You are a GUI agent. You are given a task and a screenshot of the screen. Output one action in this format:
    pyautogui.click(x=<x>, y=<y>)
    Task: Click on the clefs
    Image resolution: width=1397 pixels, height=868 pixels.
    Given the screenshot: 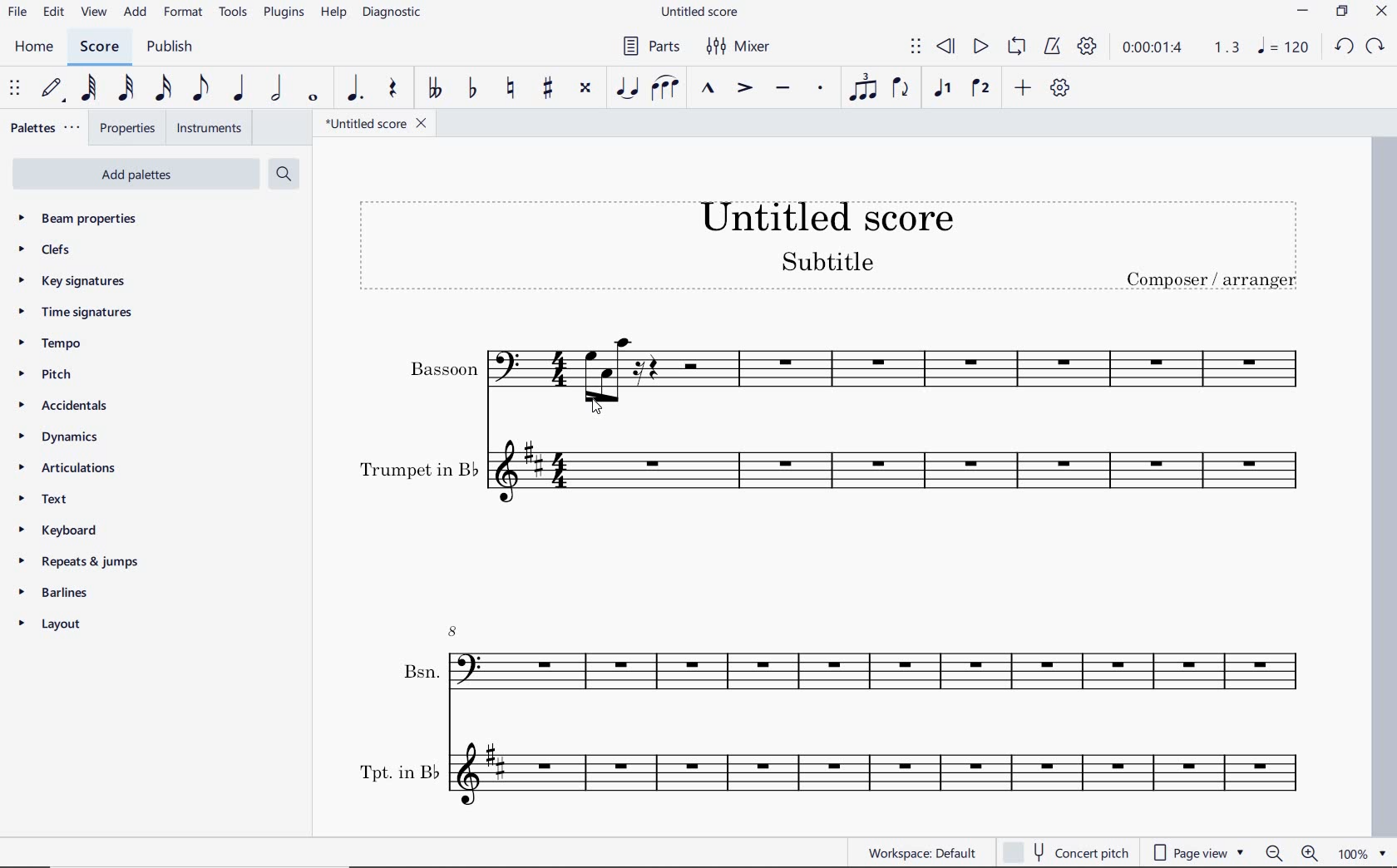 What is the action you would take?
    pyautogui.click(x=45, y=249)
    